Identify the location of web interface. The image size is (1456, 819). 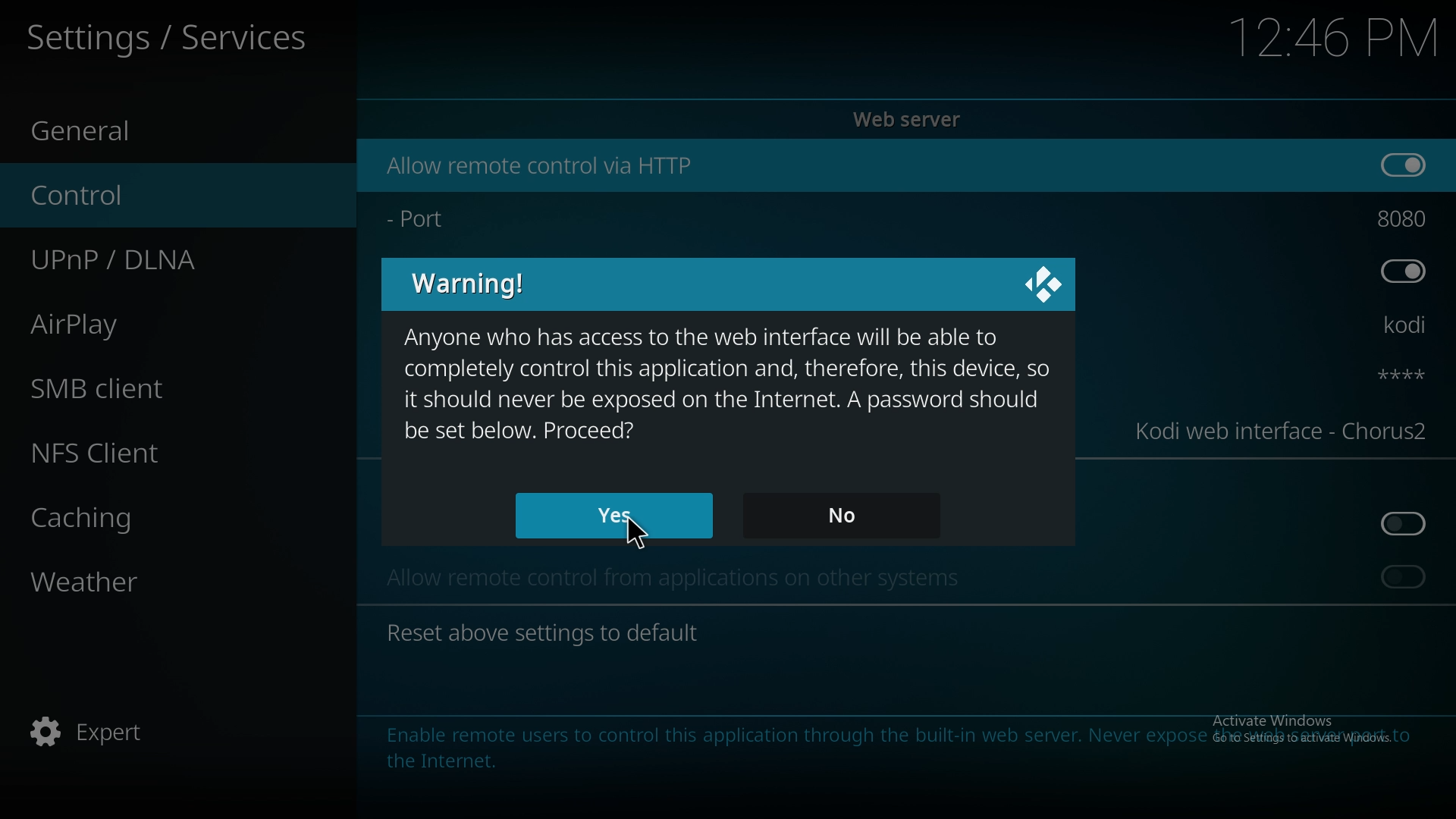
(1282, 428).